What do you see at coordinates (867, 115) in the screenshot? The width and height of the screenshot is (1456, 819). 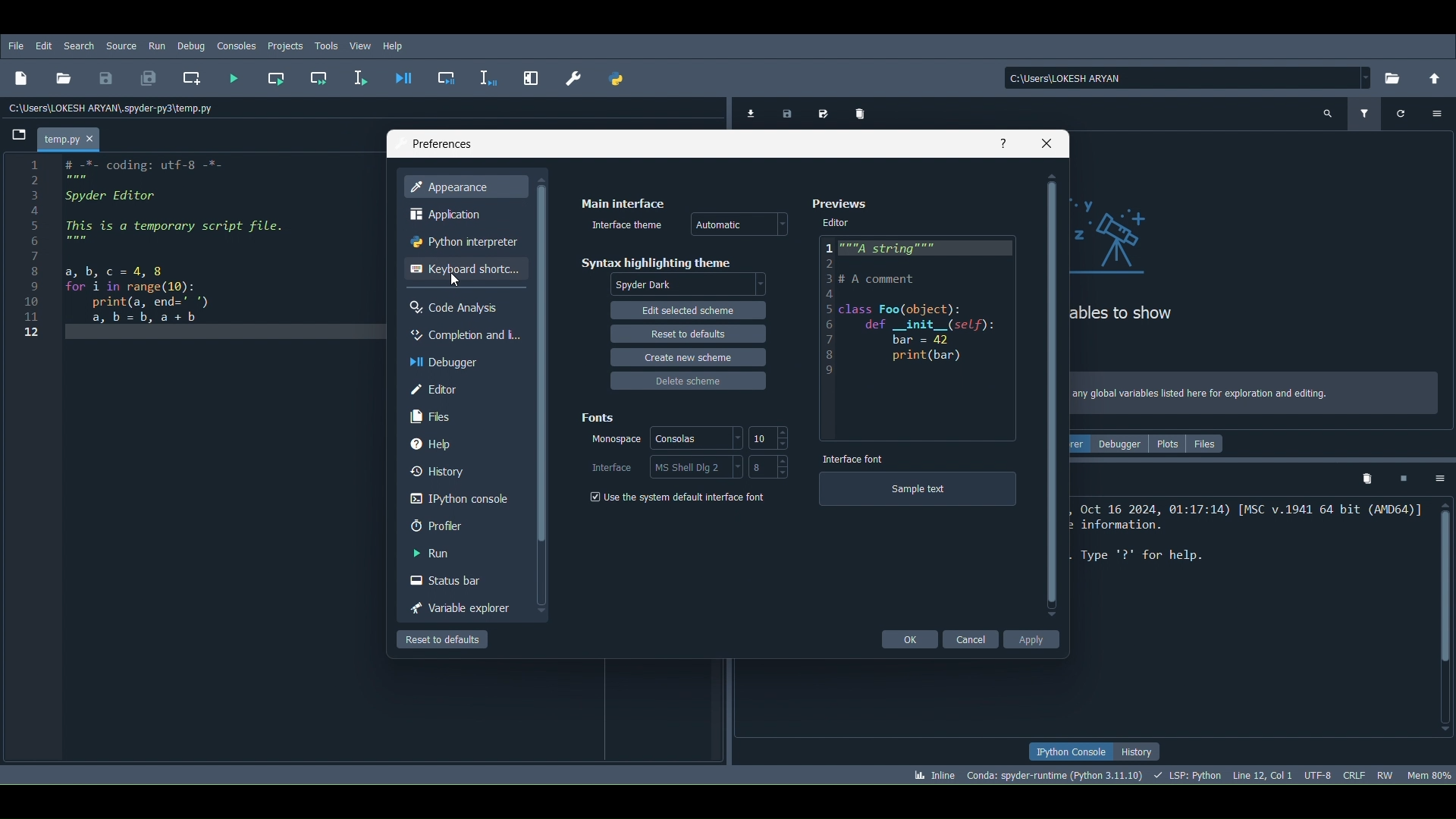 I see `Remove all variables` at bounding box center [867, 115].